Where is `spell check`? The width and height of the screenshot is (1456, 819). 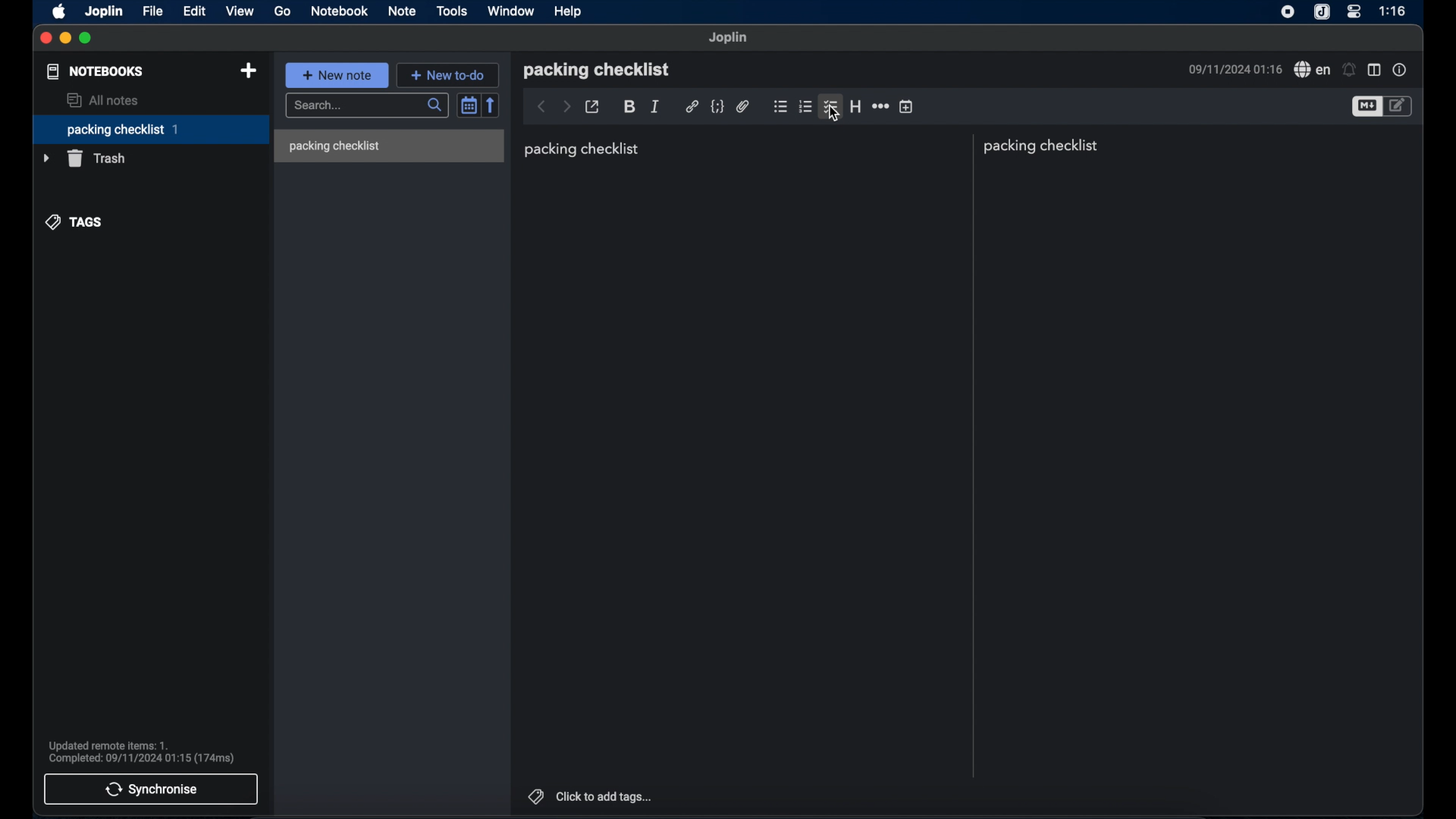 spell check is located at coordinates (1312, 70).